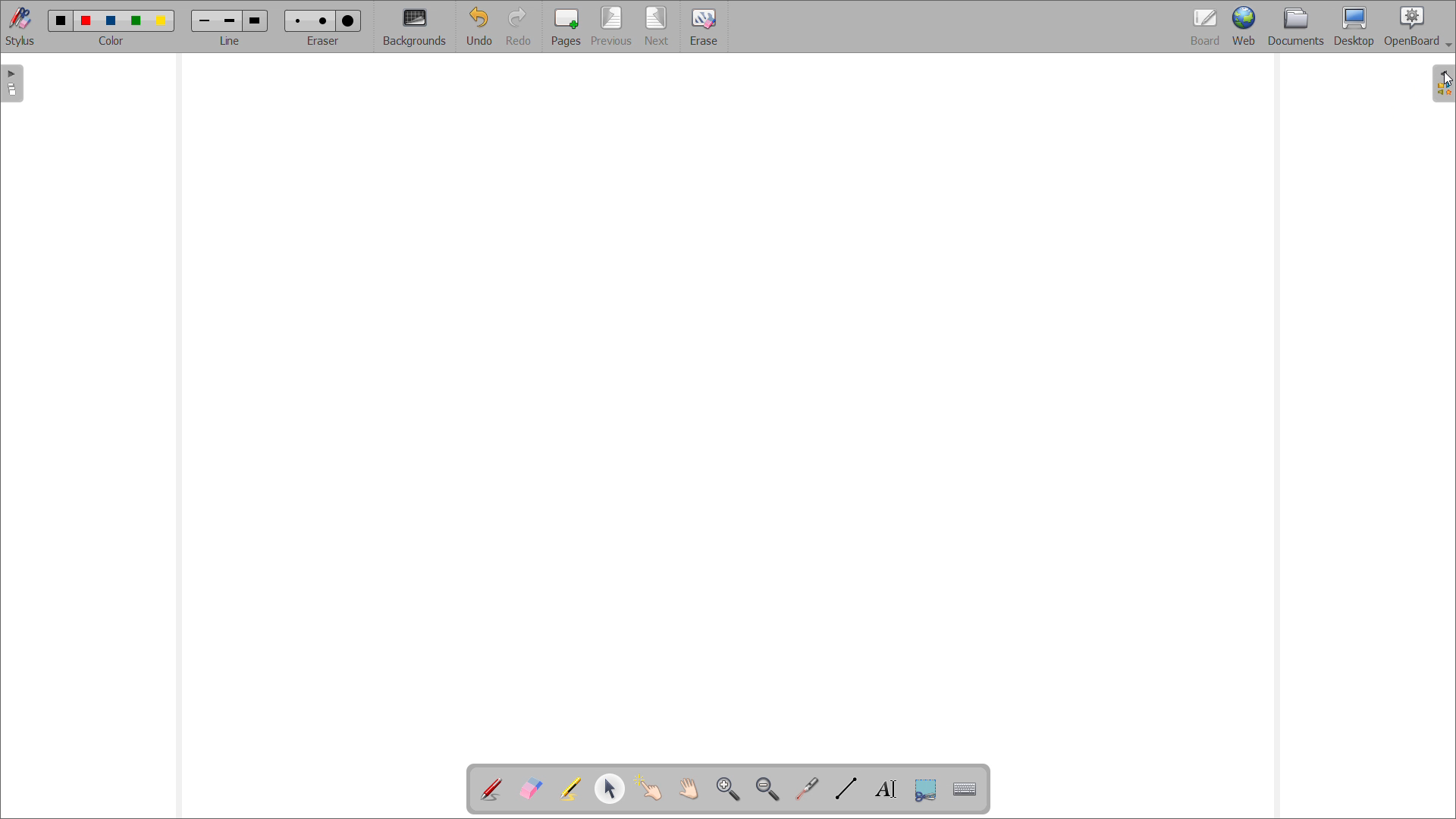 This screenshot has height=819, width=1456. What do you see at coordinates (479, 27) in the screenshot?
I see `undo` at bounding box center [479, 27].